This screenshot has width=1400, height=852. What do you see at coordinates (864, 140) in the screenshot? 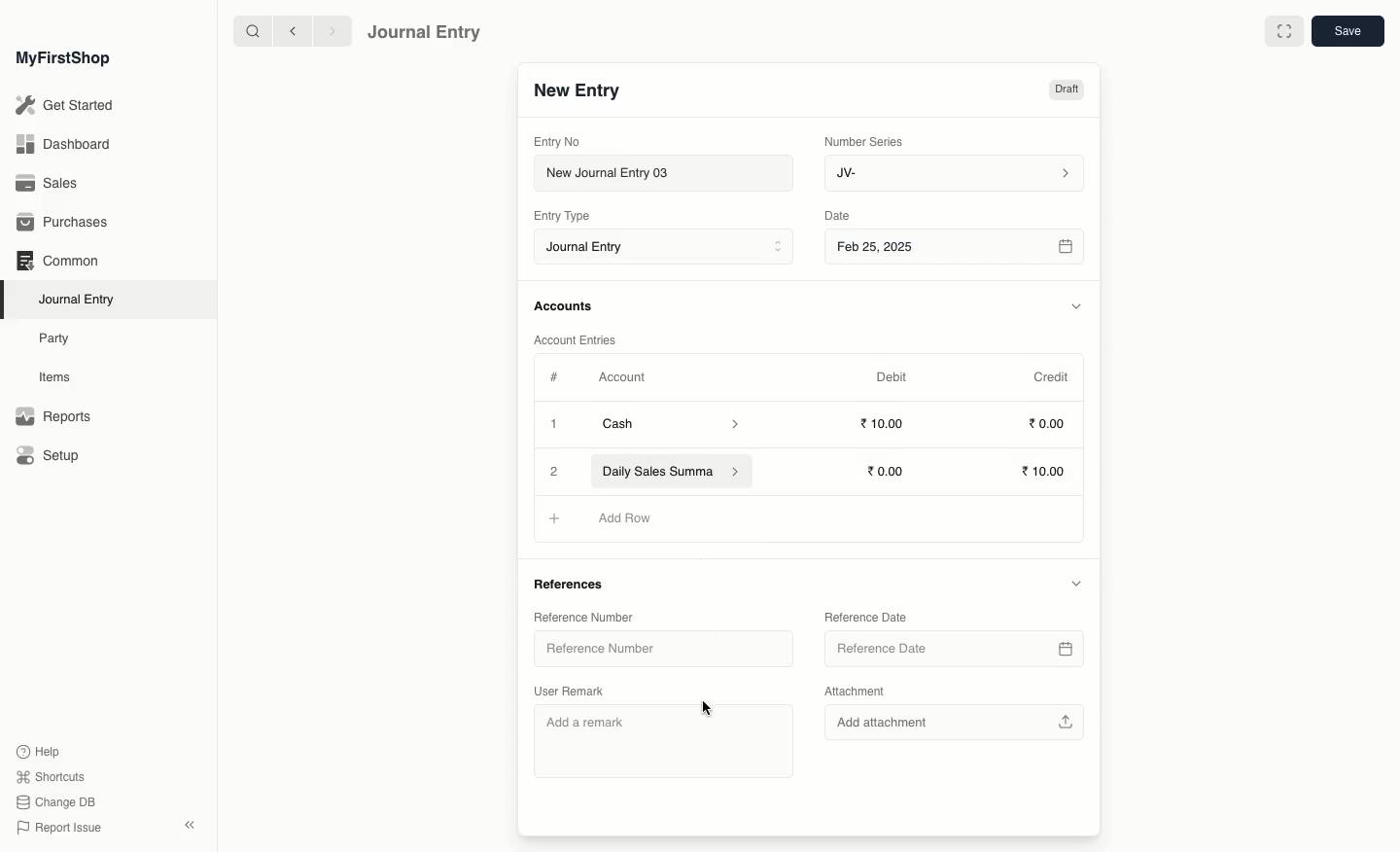
I see `‘Number Series` at bounding box center [864, 140].